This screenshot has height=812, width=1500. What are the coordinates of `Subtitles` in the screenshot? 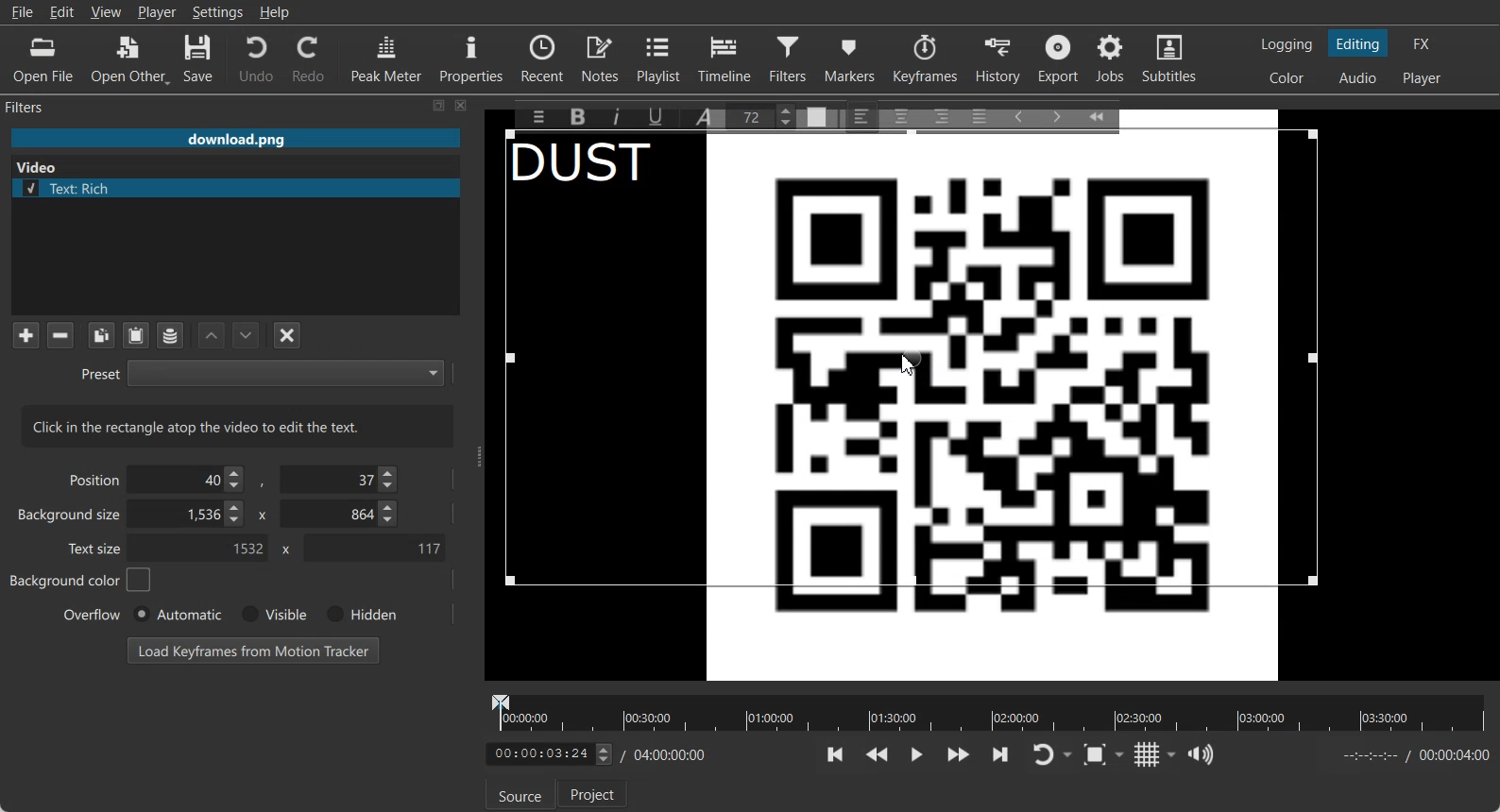 It's located at (1170, 59).